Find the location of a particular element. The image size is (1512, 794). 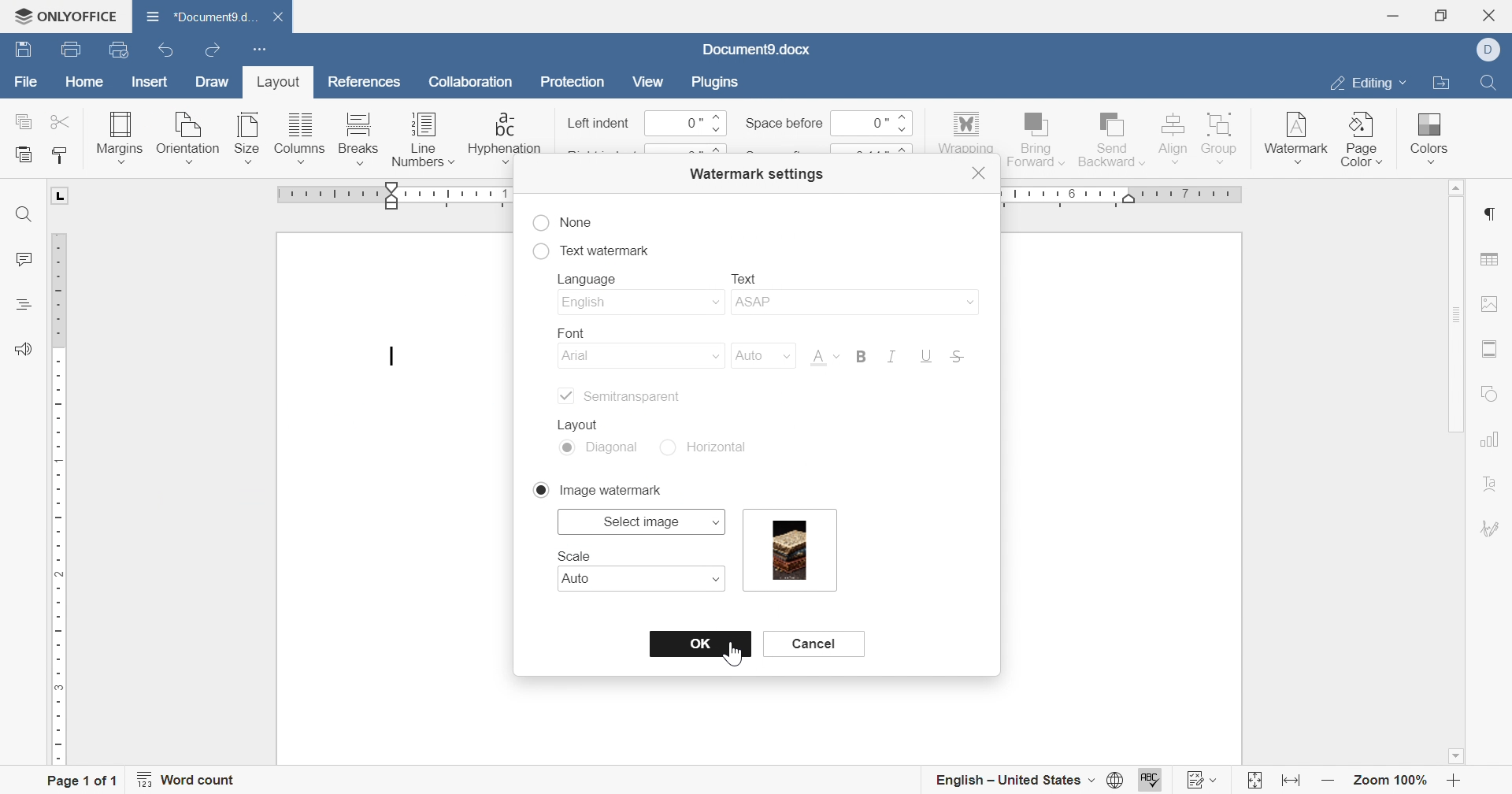

references is located at coordinates (366, 80).